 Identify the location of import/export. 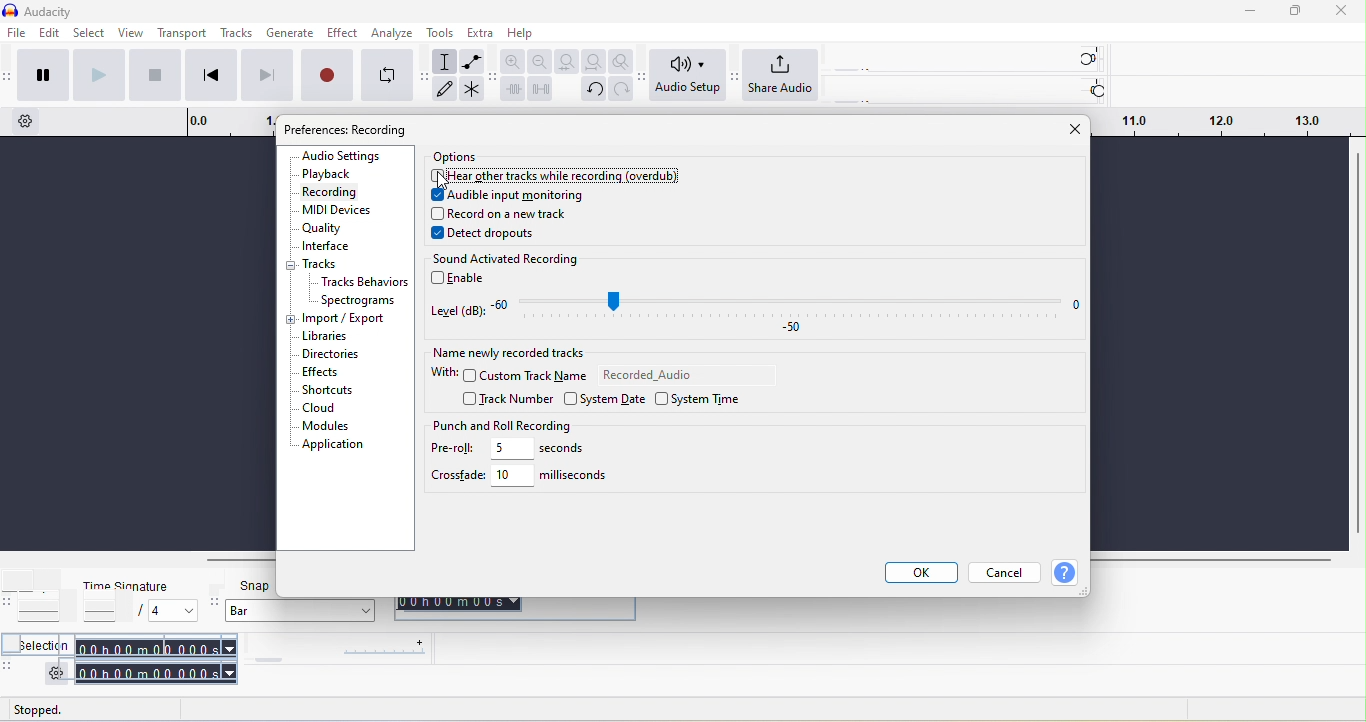
(341, 319).